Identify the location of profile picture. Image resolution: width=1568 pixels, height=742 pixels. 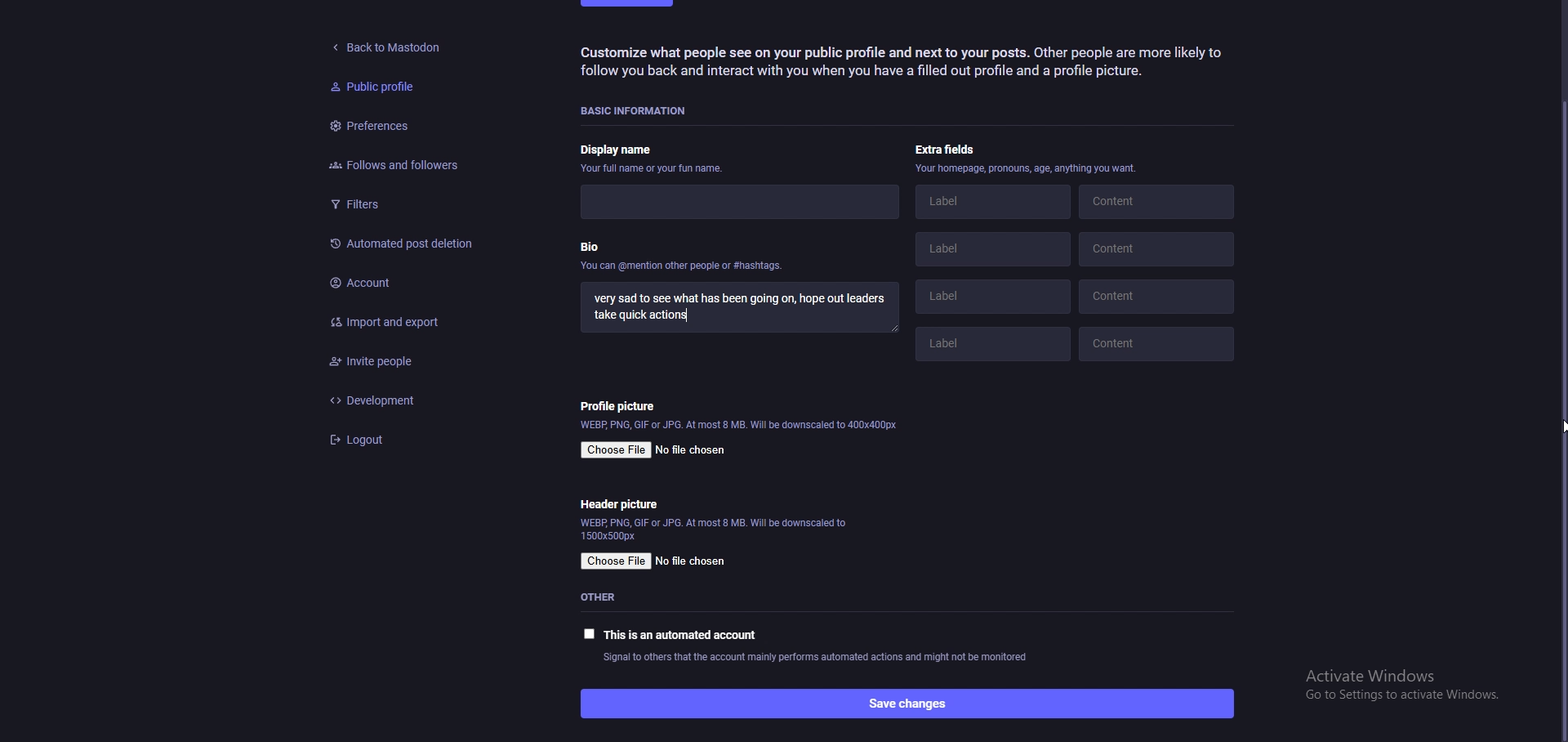
(622, 405).